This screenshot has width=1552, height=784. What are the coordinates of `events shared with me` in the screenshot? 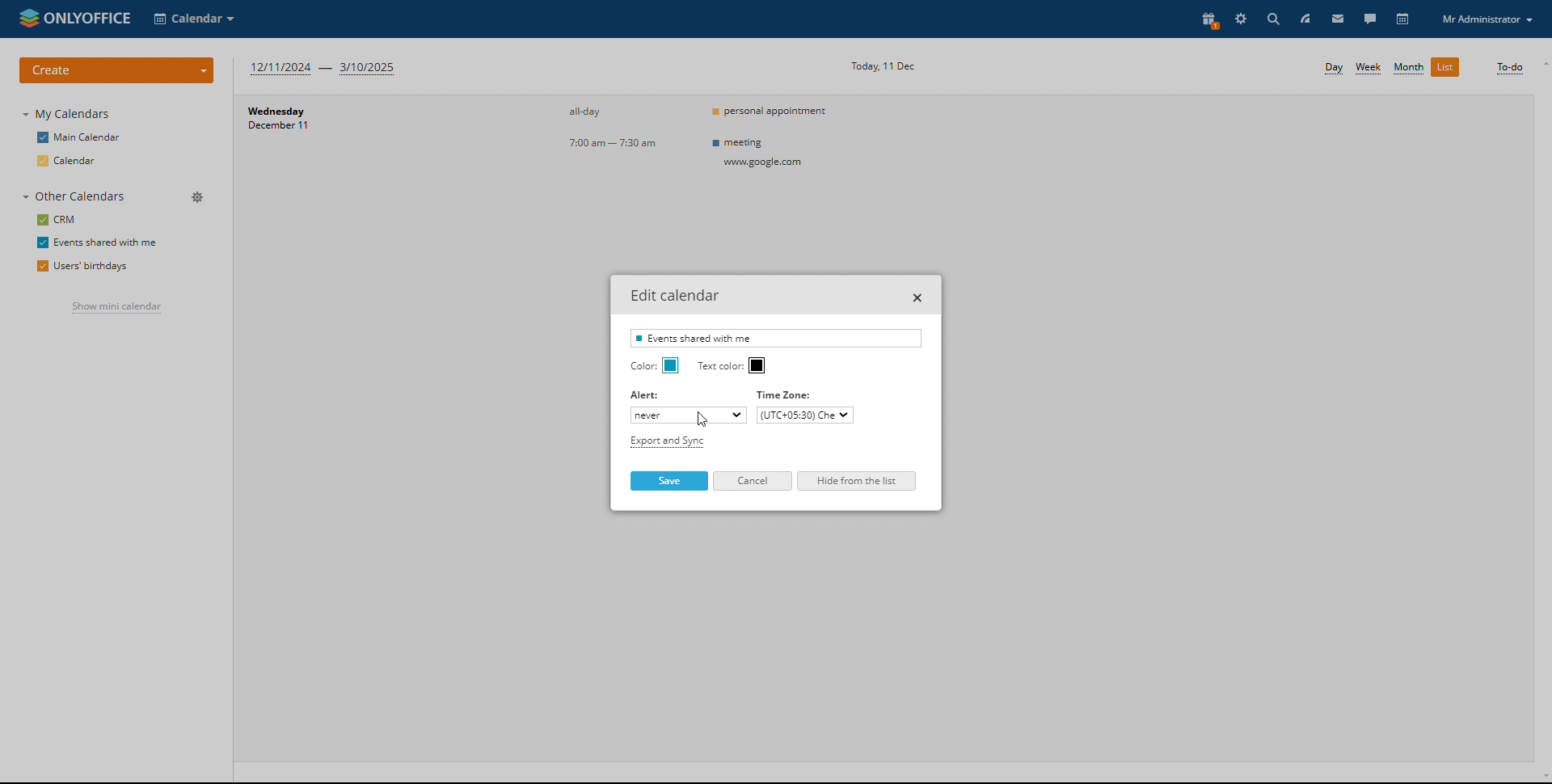 It's located at (96, 242).